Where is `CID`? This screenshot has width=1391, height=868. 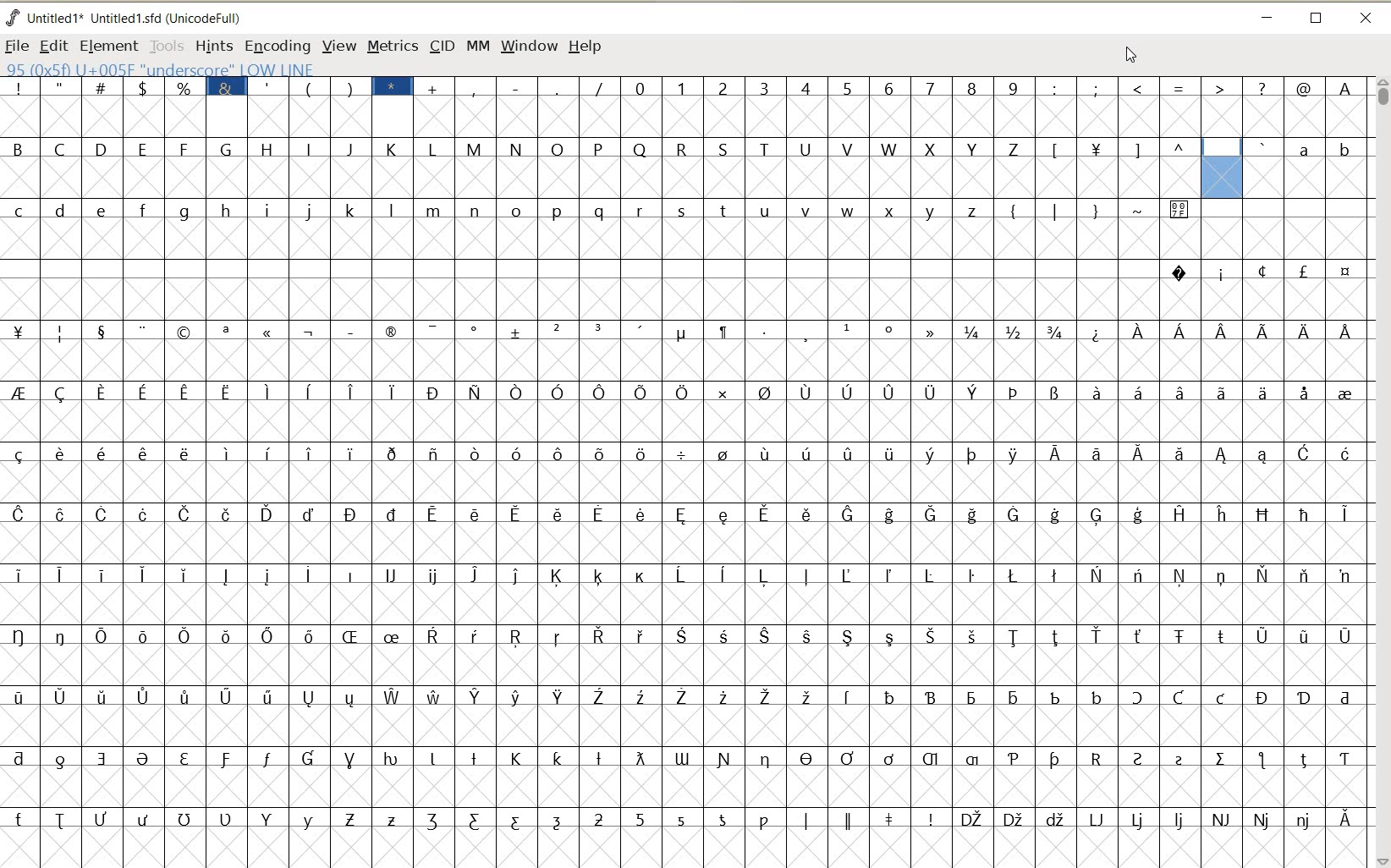
CID is located at coordinates (442, 47).